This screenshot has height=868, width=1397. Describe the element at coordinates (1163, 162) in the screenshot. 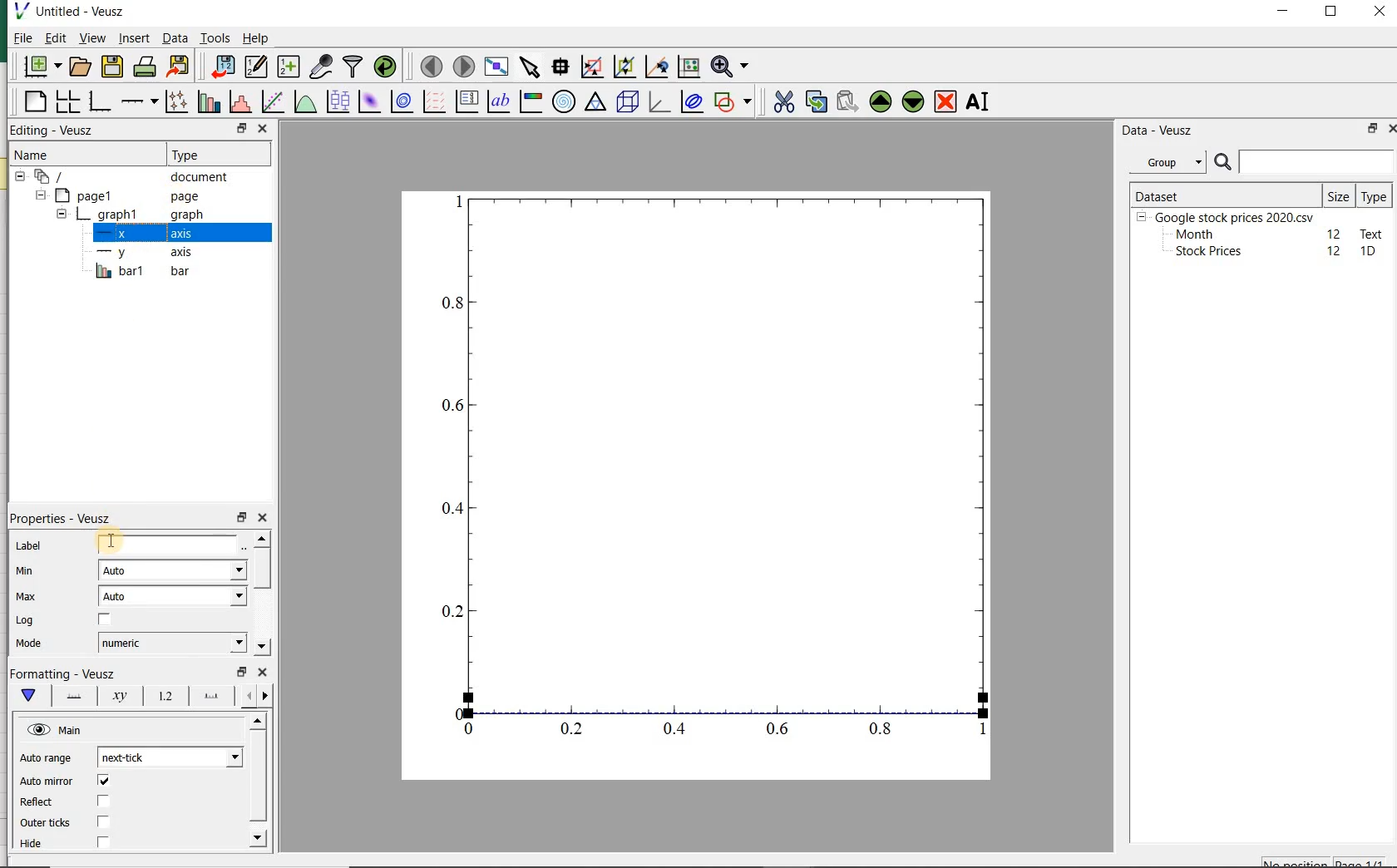

I see `Group datasets with property given` at that location.